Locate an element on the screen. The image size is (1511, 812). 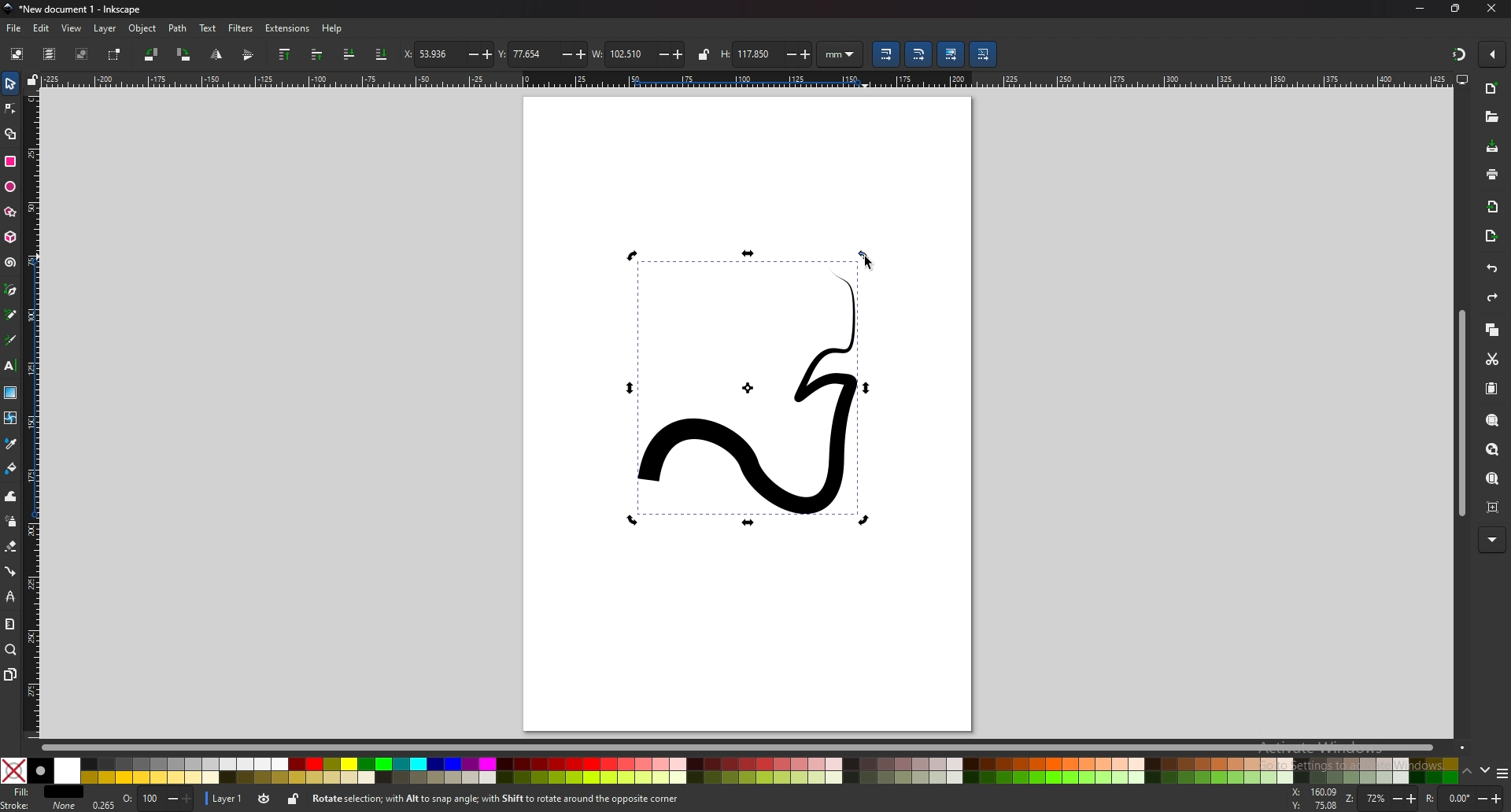
move patterns is located at coordinates (983, 54).